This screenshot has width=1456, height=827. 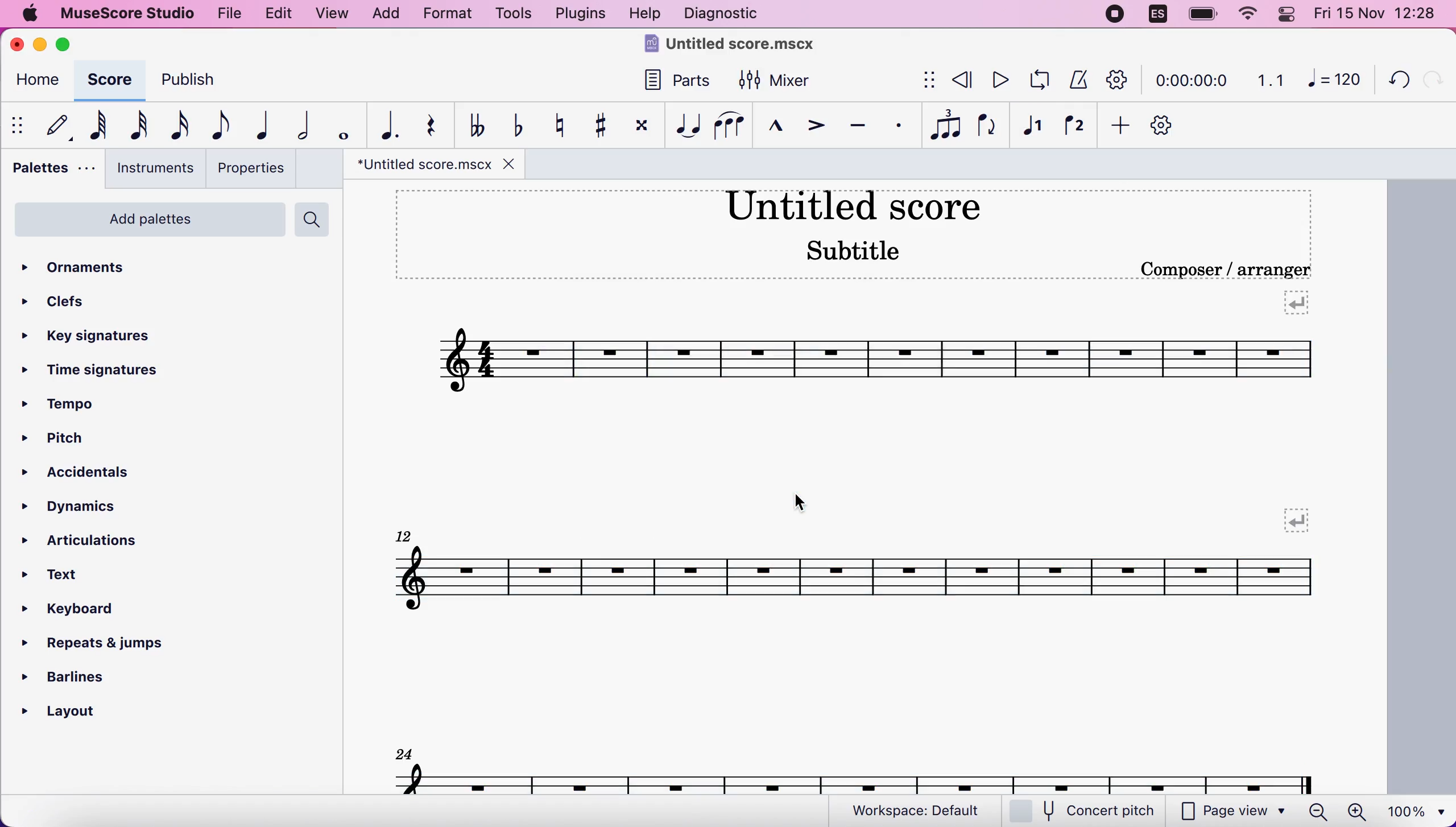 I want to click on toggle double sharp, so click(x=640, y=128).